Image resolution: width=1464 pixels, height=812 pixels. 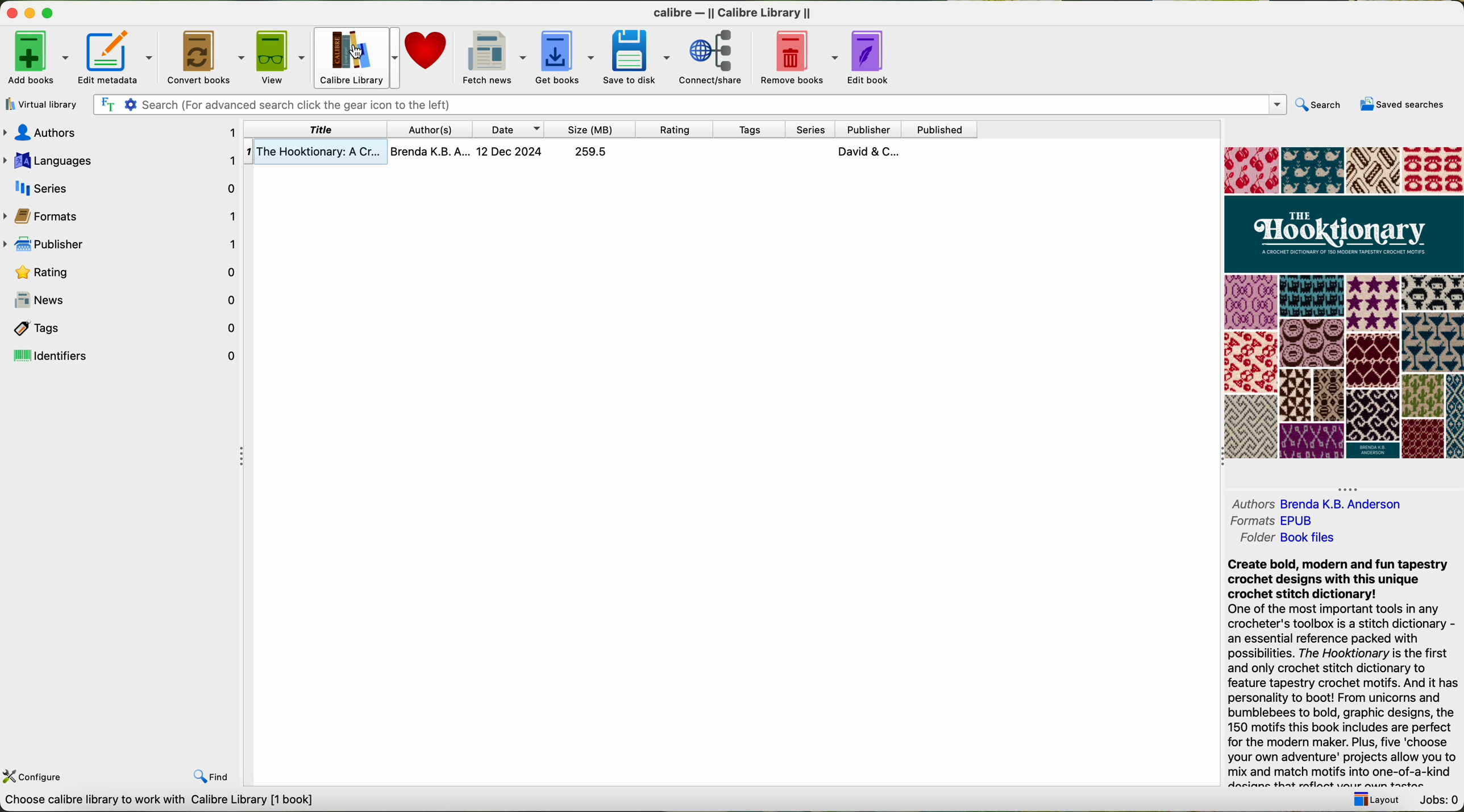 What do you see at coordinates (355, 50) in the screenshot?
I see `cursor` at bounding box center [355, 50].